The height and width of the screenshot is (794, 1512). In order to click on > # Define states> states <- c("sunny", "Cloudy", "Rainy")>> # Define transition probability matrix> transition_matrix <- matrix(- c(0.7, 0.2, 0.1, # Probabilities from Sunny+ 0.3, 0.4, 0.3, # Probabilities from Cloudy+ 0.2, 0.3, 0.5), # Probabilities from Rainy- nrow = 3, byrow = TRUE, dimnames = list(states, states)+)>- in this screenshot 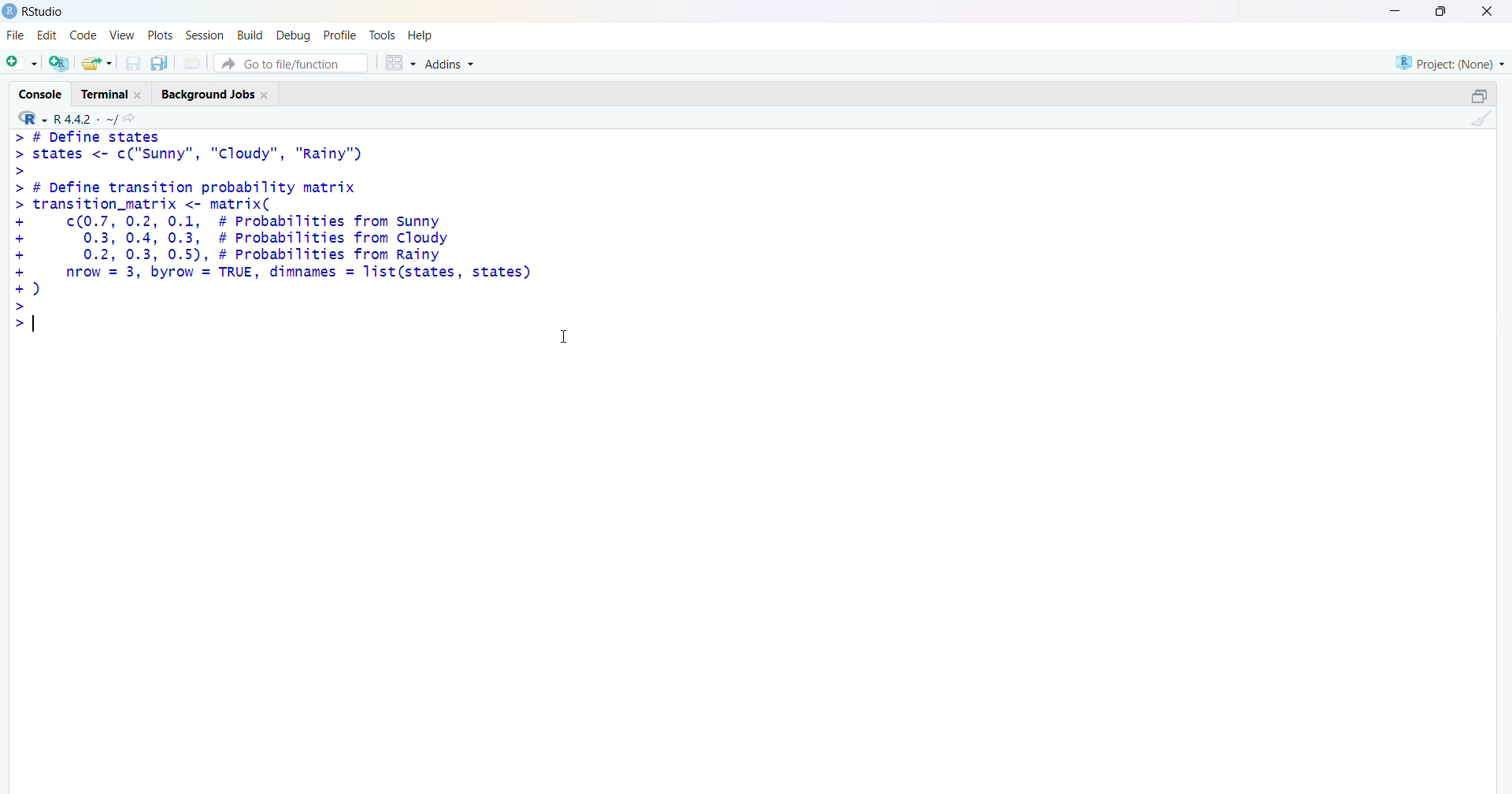, I will do `click(283, 232)`.